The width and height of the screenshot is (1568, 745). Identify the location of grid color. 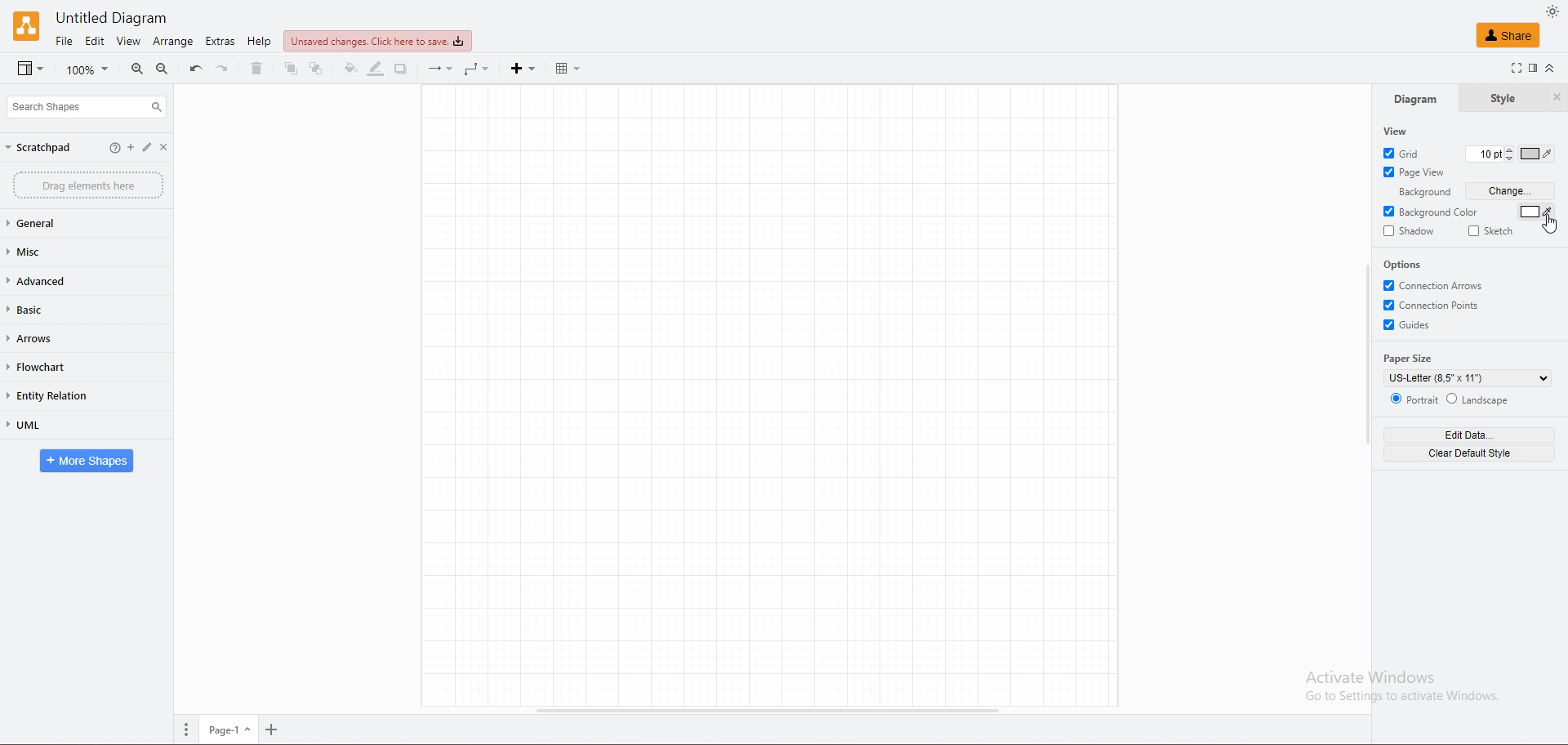
(1538, 154).